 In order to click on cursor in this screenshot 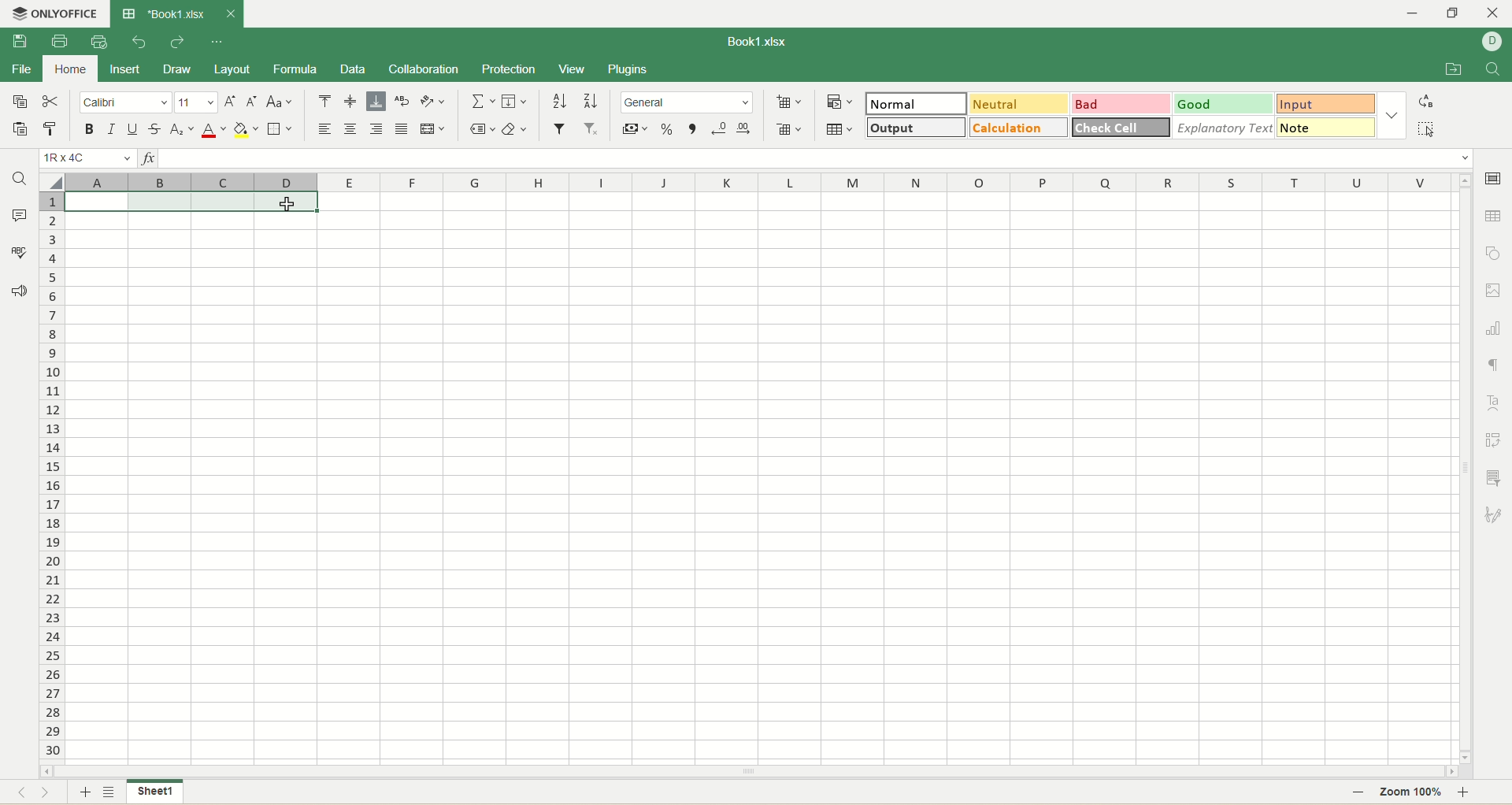, I will do `click(291, 205)`.